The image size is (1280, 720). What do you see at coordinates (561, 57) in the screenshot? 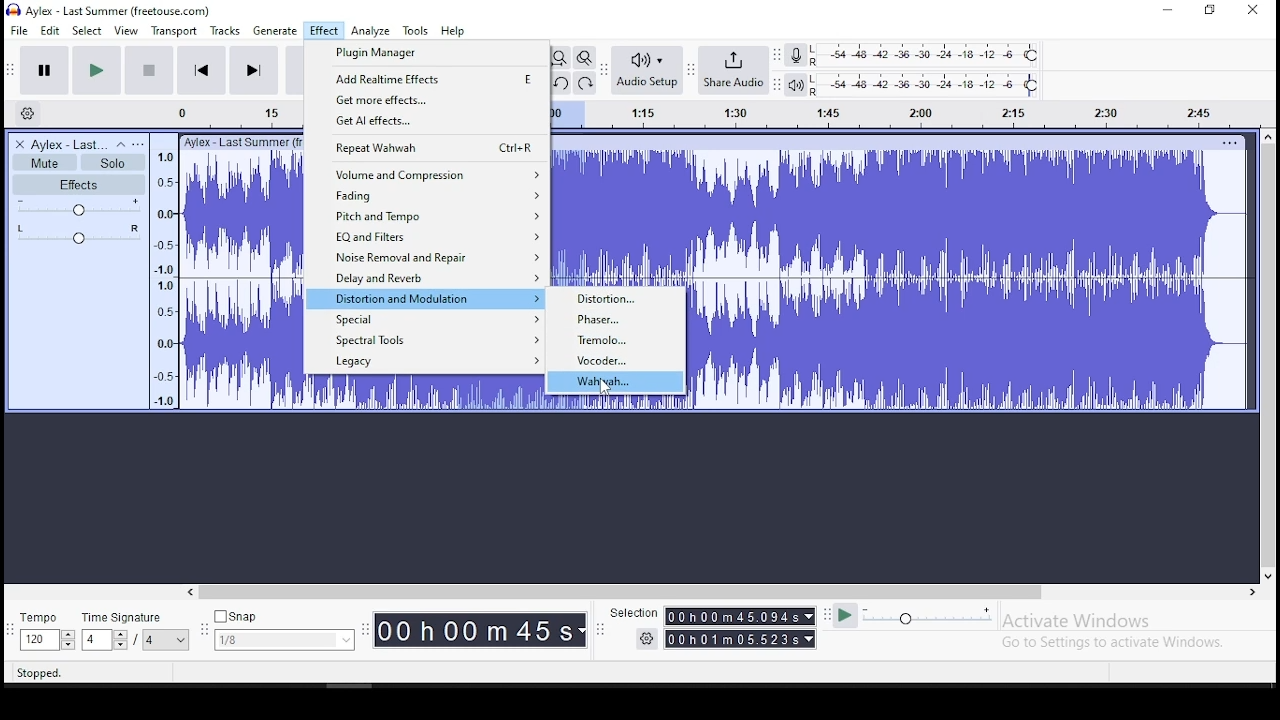
I see `fit project to width` at bounding box center [561, 57].